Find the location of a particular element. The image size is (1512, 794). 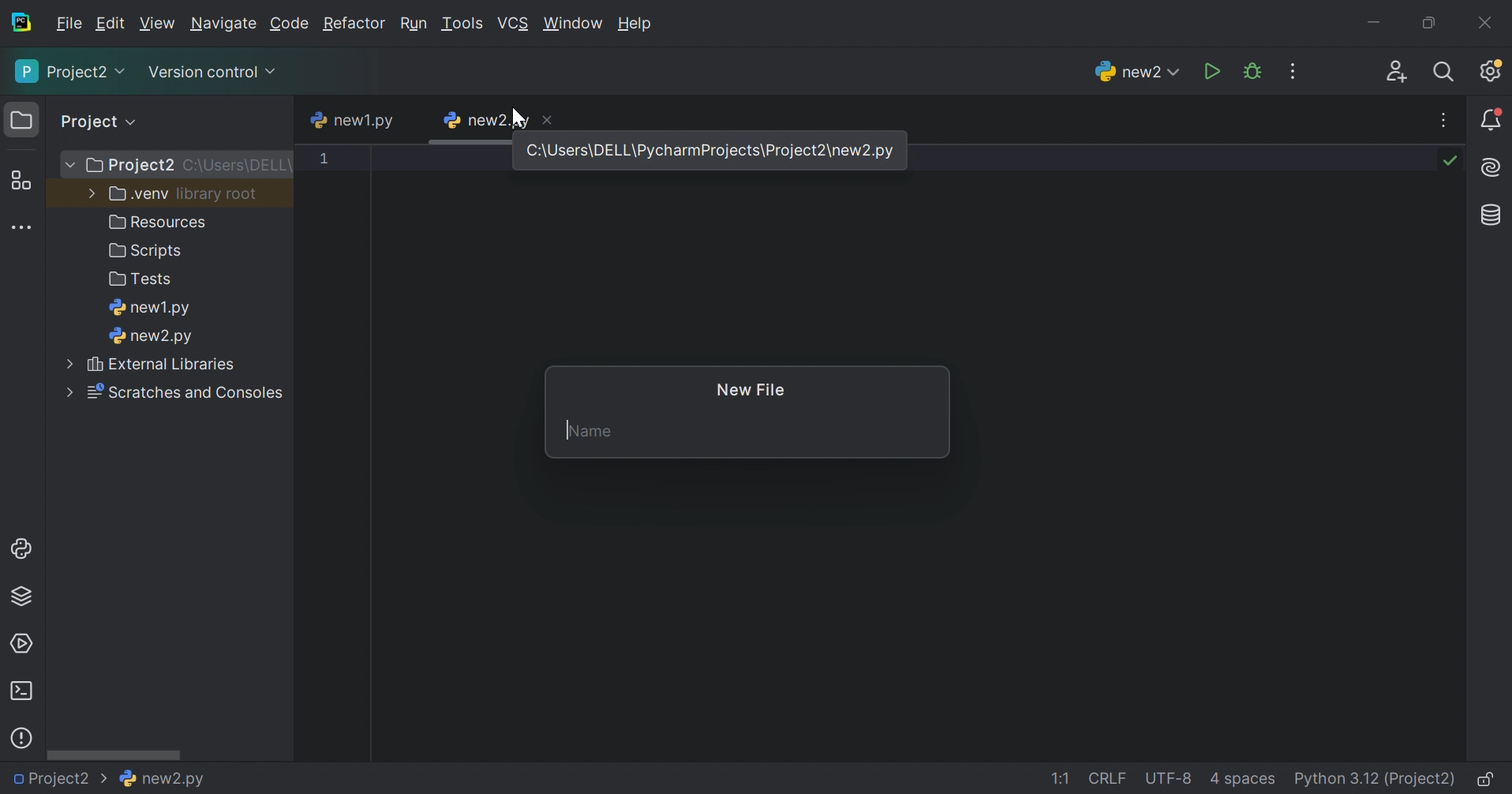

1:1 is located at coordinates (1065, 780).